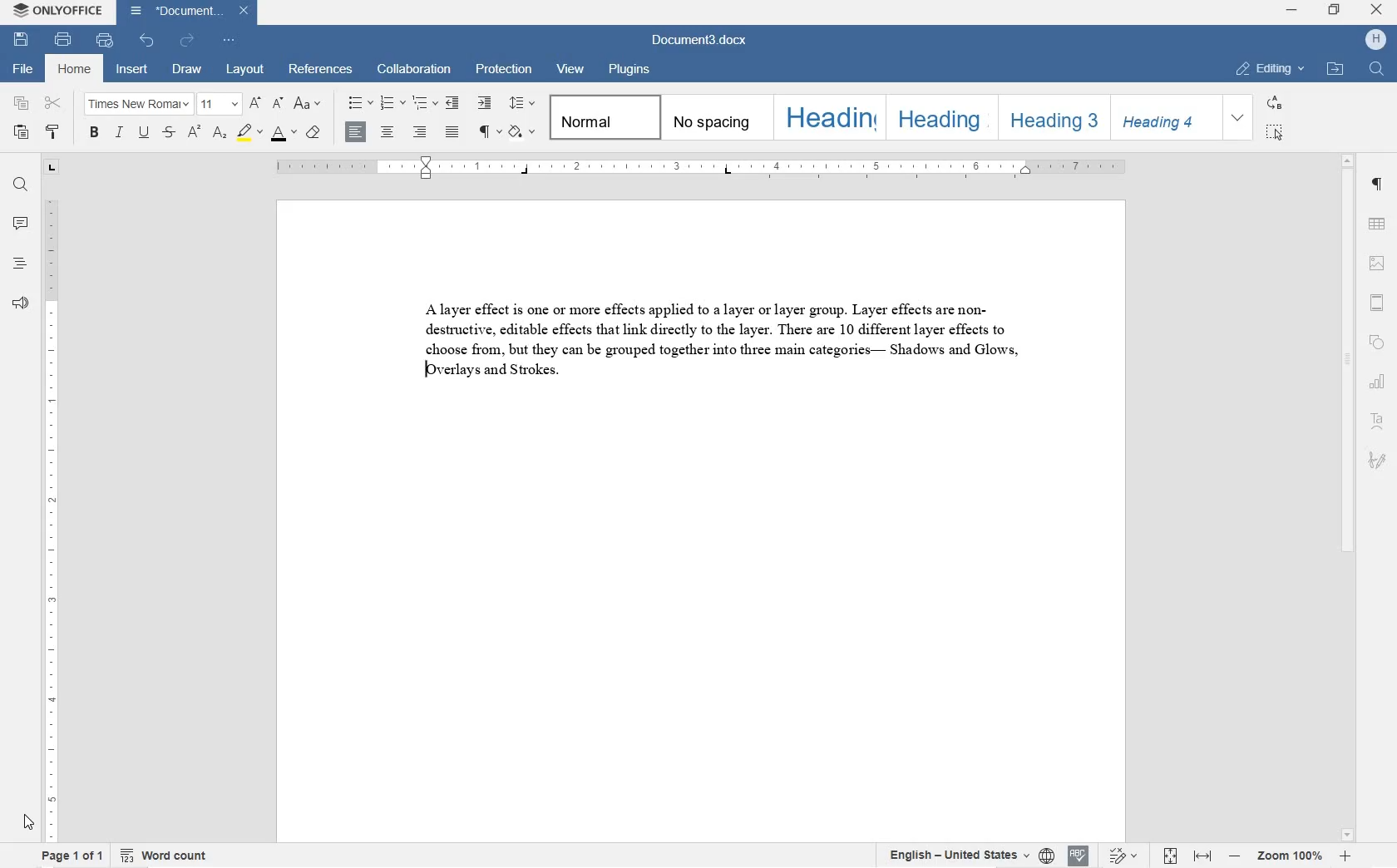 This screenshot has height=868, width=1397. What do you see at coordinates (1335, 12) in the screenshot?
I see `RESTORE` at bounding box center [1335, 12].